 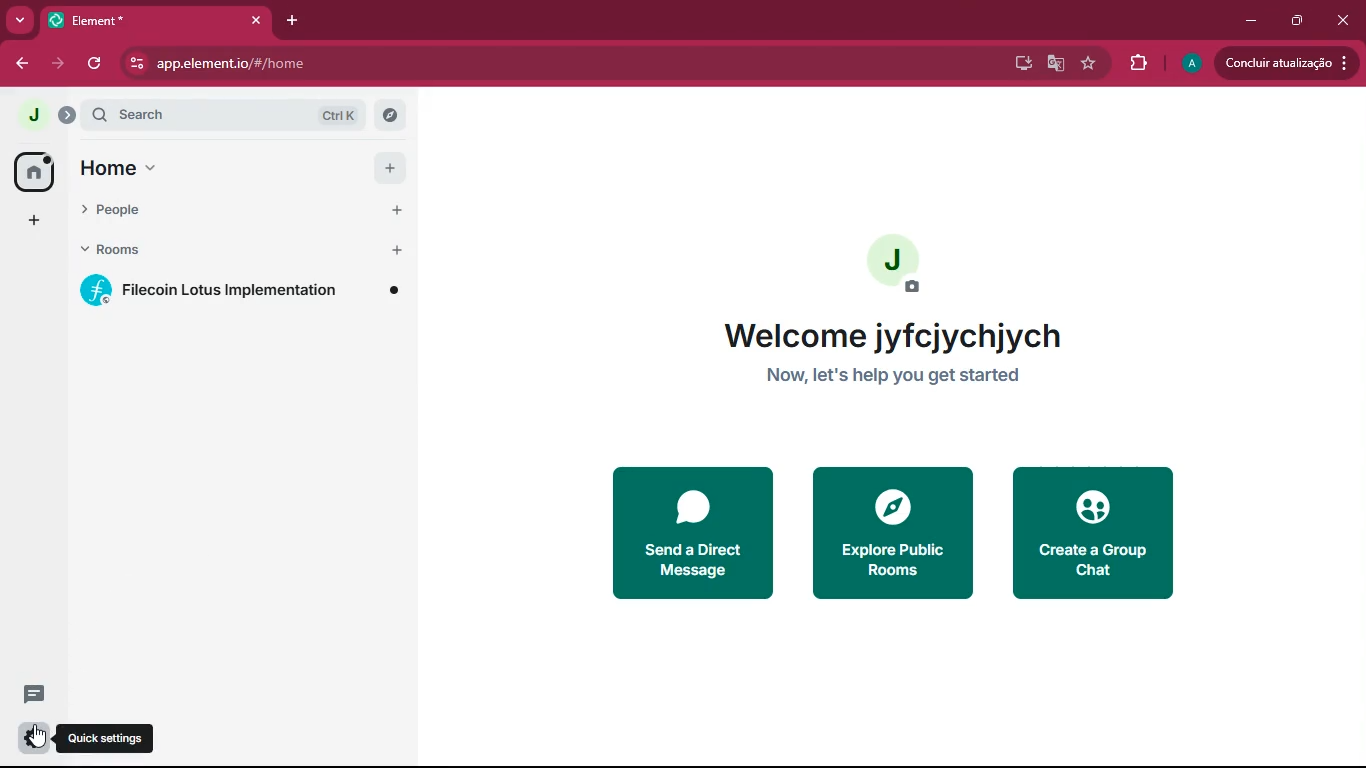 I want to click on refresh, so click(x=92, y=64).